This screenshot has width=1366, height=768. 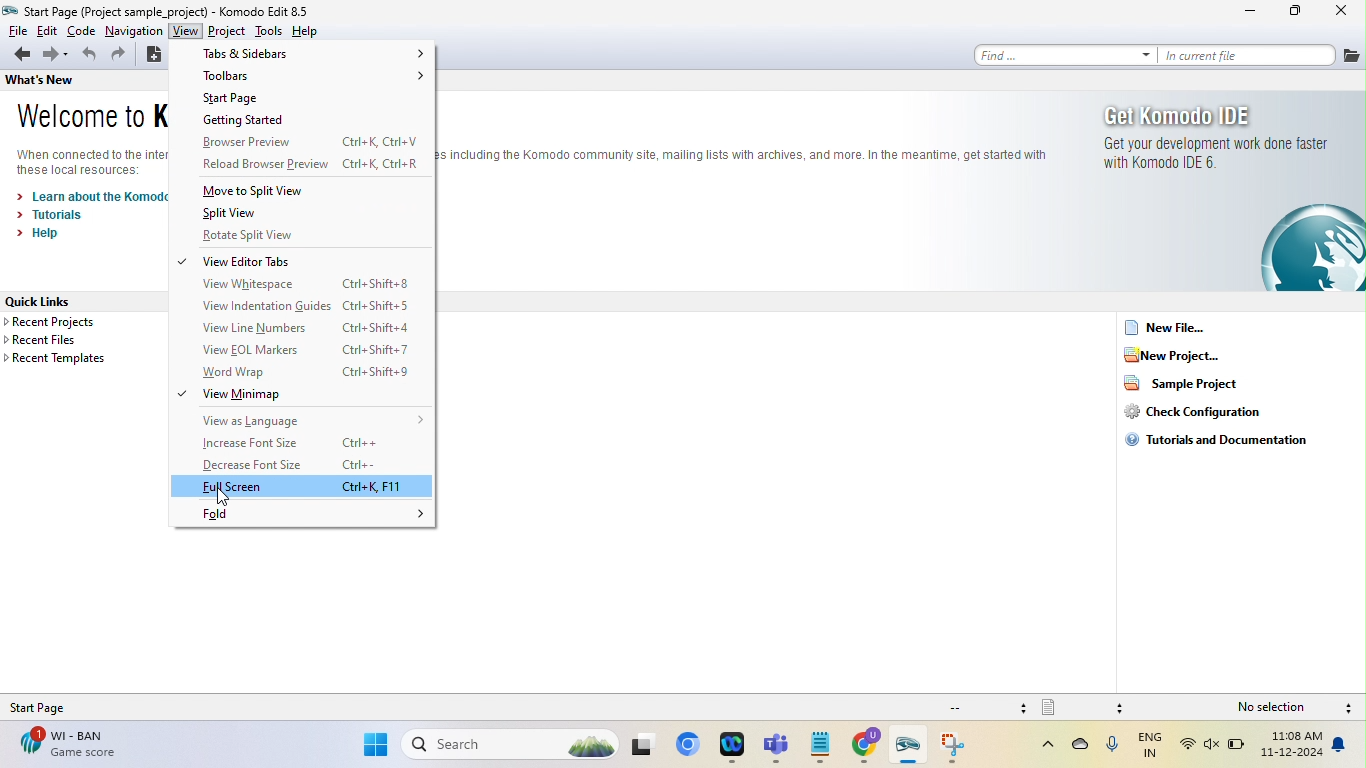 I want to click on text, so click(x=90, y=162).